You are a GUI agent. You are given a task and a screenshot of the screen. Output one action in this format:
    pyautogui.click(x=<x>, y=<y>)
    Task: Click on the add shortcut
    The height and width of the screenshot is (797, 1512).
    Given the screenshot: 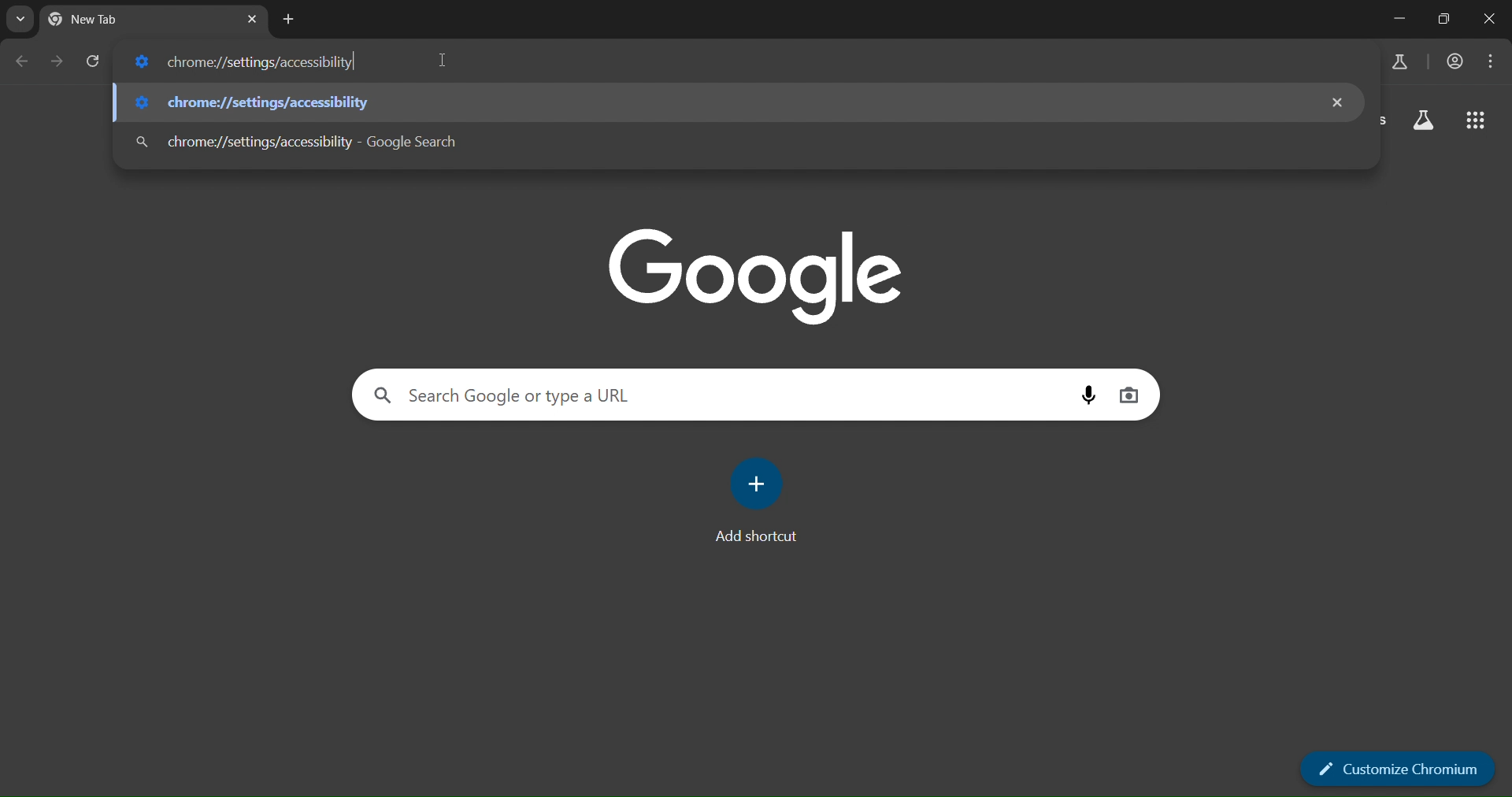 What is the action you would take?
    pyautogui.click(x=759, y=502)
    